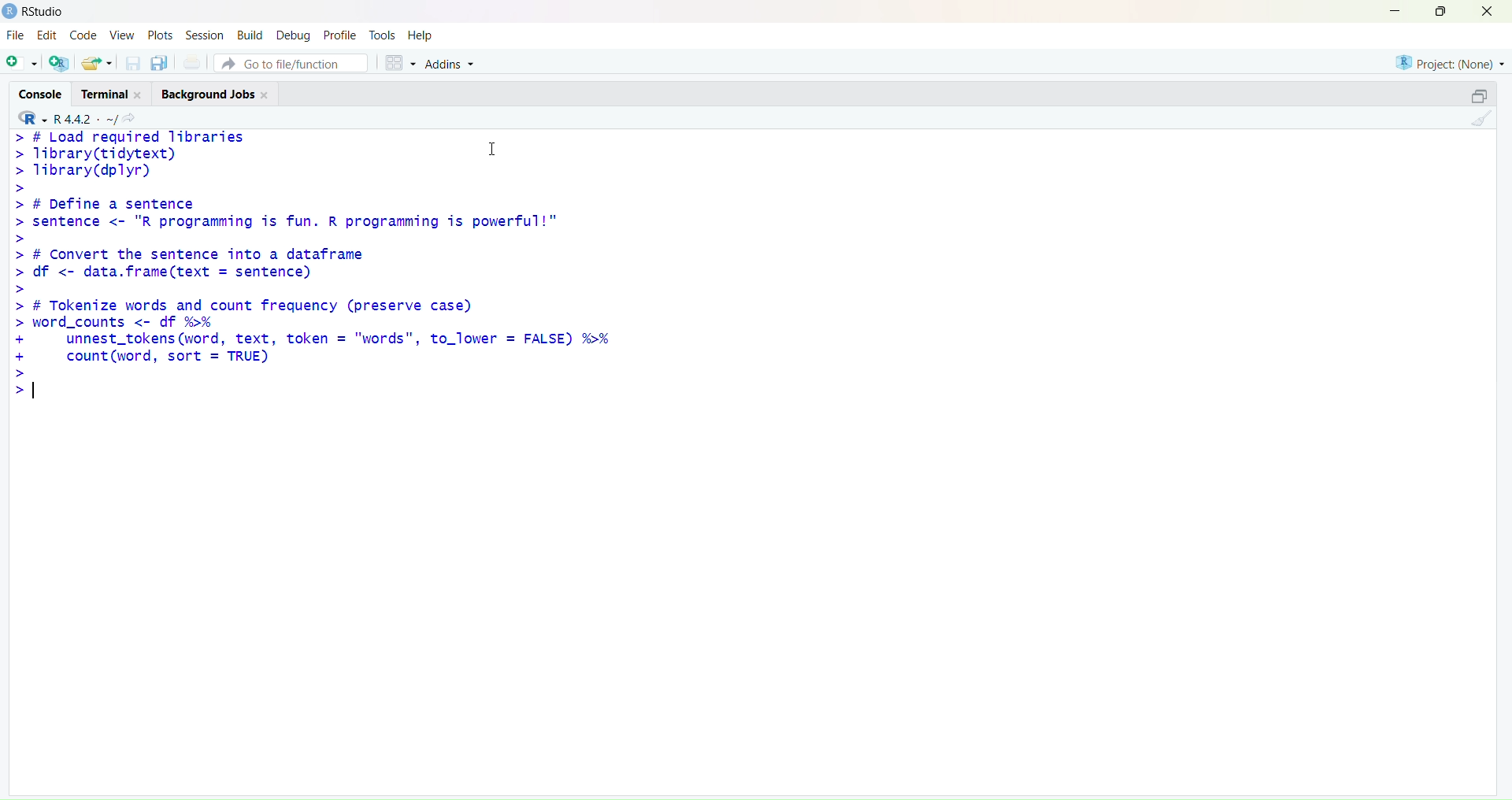 Image resolution: width=1512 pixels, height=800 pixels. I want to click on open an existing file, so click(98, 63).